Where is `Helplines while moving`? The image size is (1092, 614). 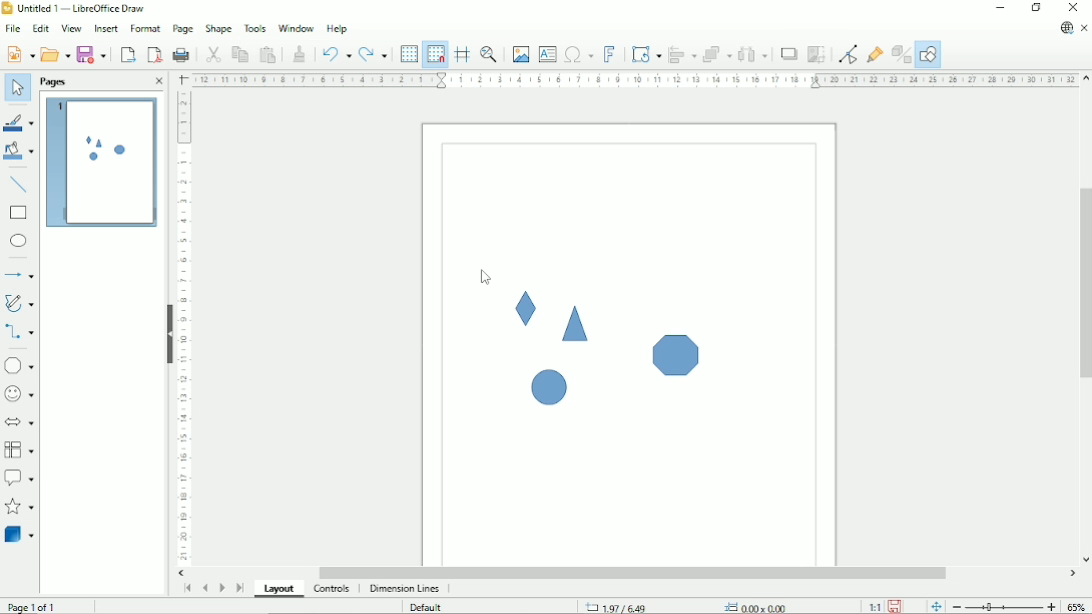
Helplines while moving is located at coordinates (462, 53).